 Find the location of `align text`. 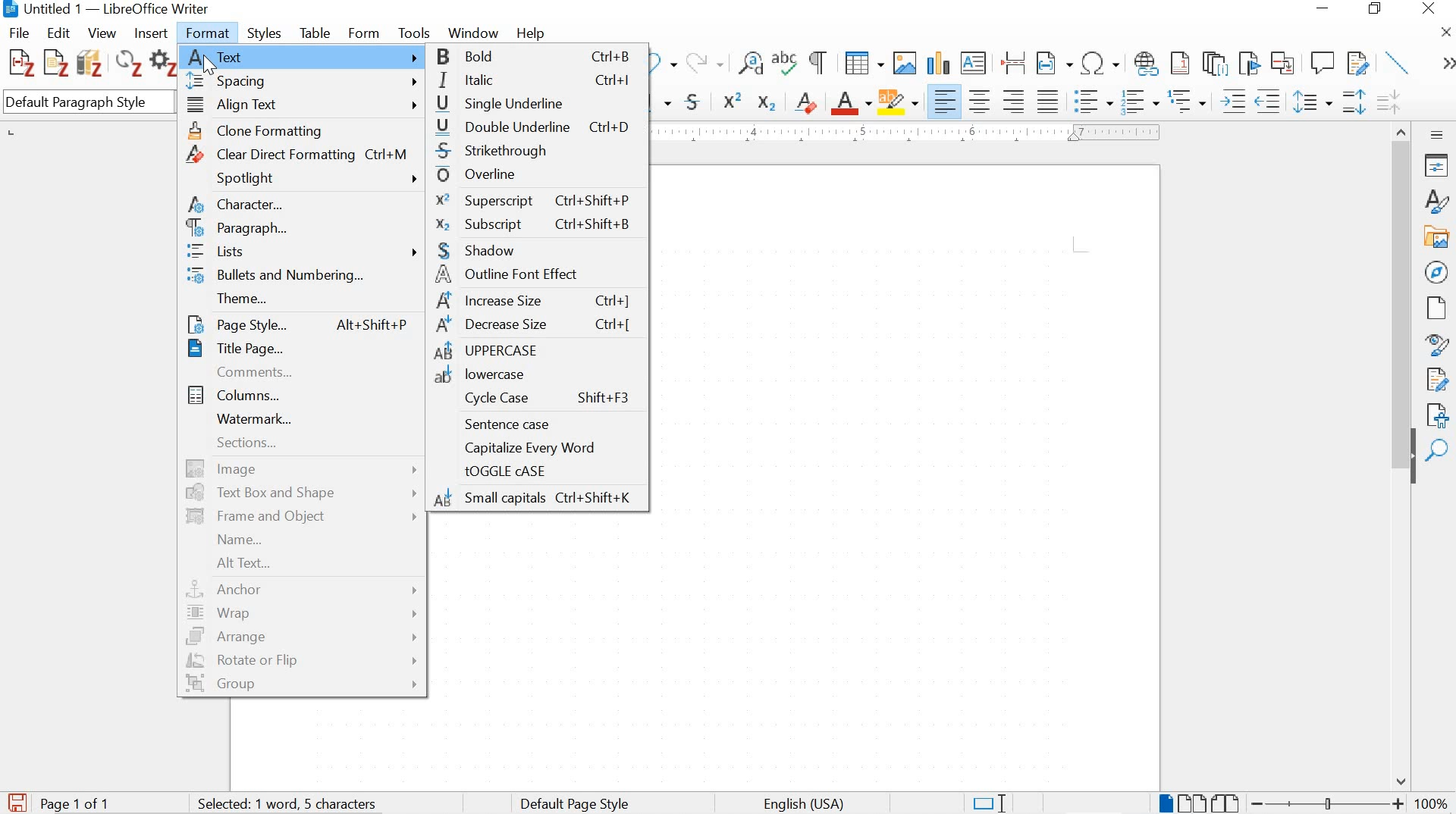

align text is located at coordinates (303, 107).